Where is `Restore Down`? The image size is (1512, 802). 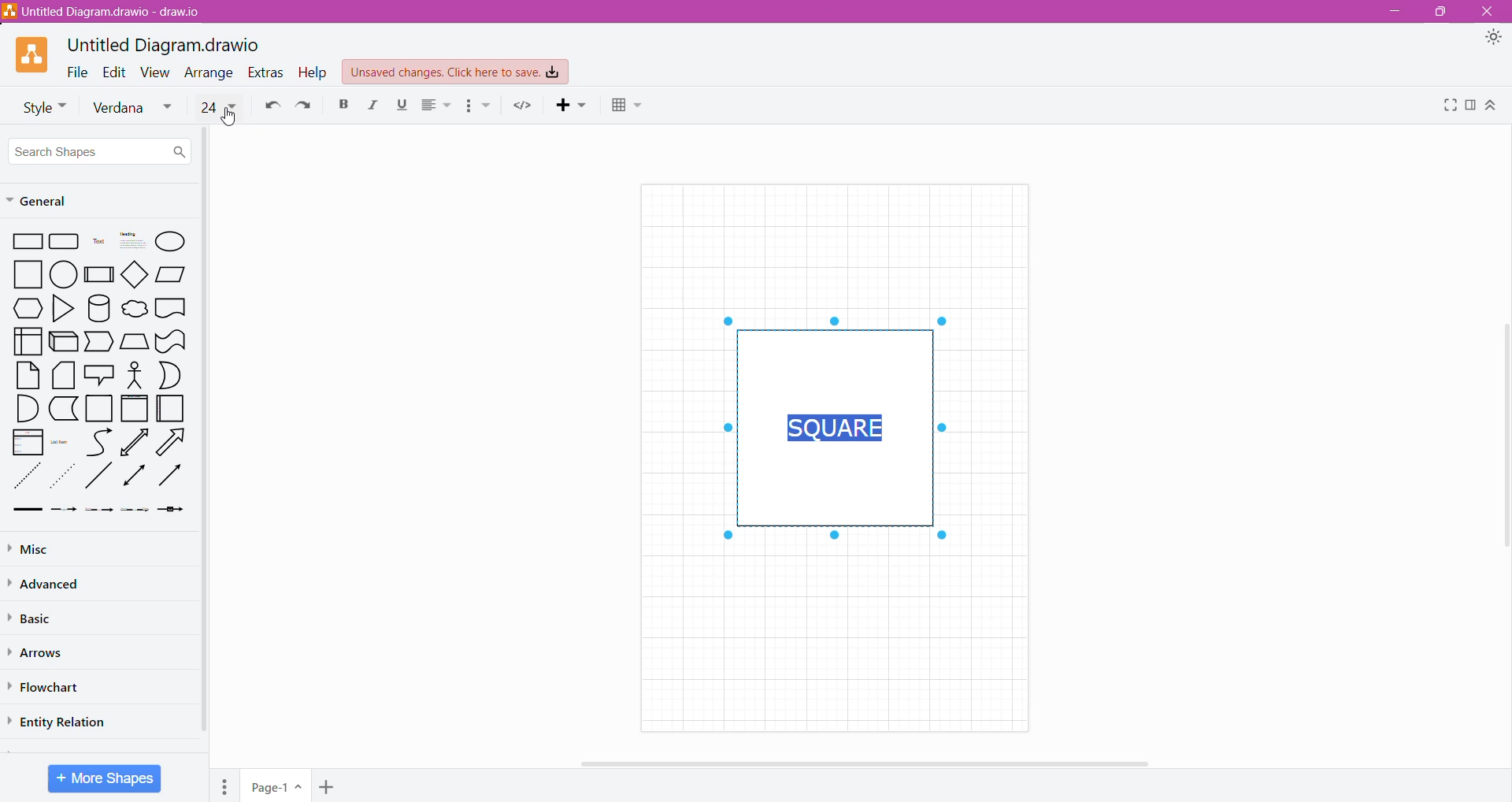 Restore Down is located at coordinates (1440, 12).